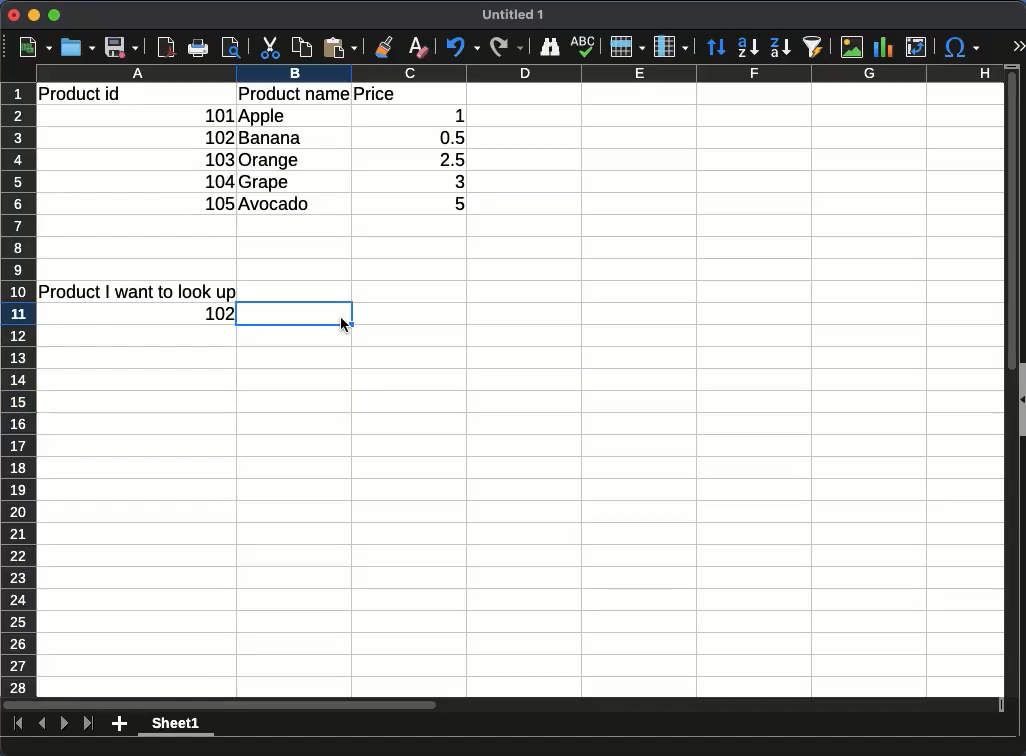 The image size is (1026, 756). What do you see at coordinates (64, 724) in the screenshot?
I see `next sheet` at bounding box center [64, 724].